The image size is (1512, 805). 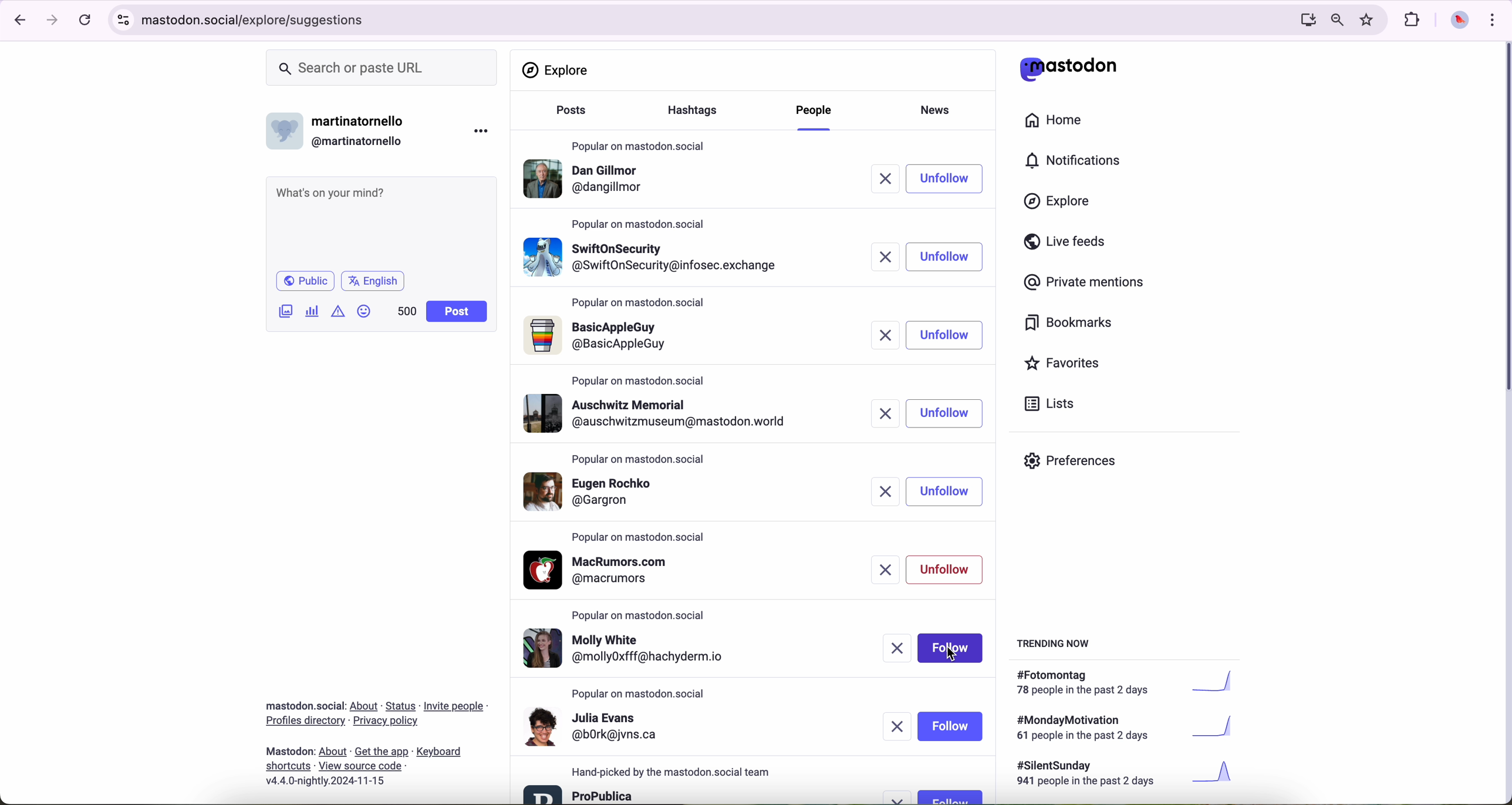 I want to click on profile, so click(x=595, y=726).